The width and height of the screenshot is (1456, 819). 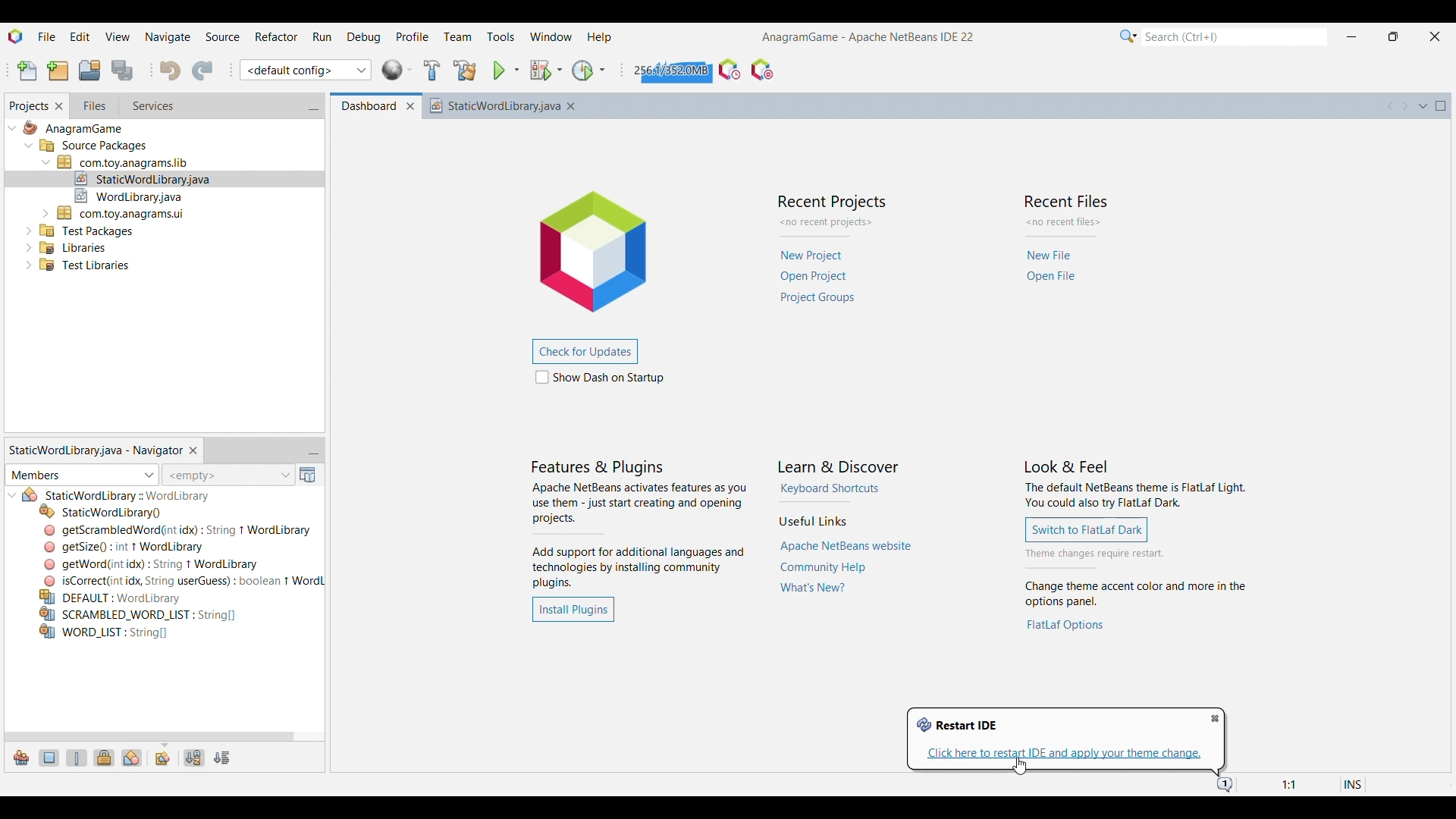 What do you see at coordinates (832, 223) in the screenshot?
I see `Number of recent projects` at bounding box center [832, 223].